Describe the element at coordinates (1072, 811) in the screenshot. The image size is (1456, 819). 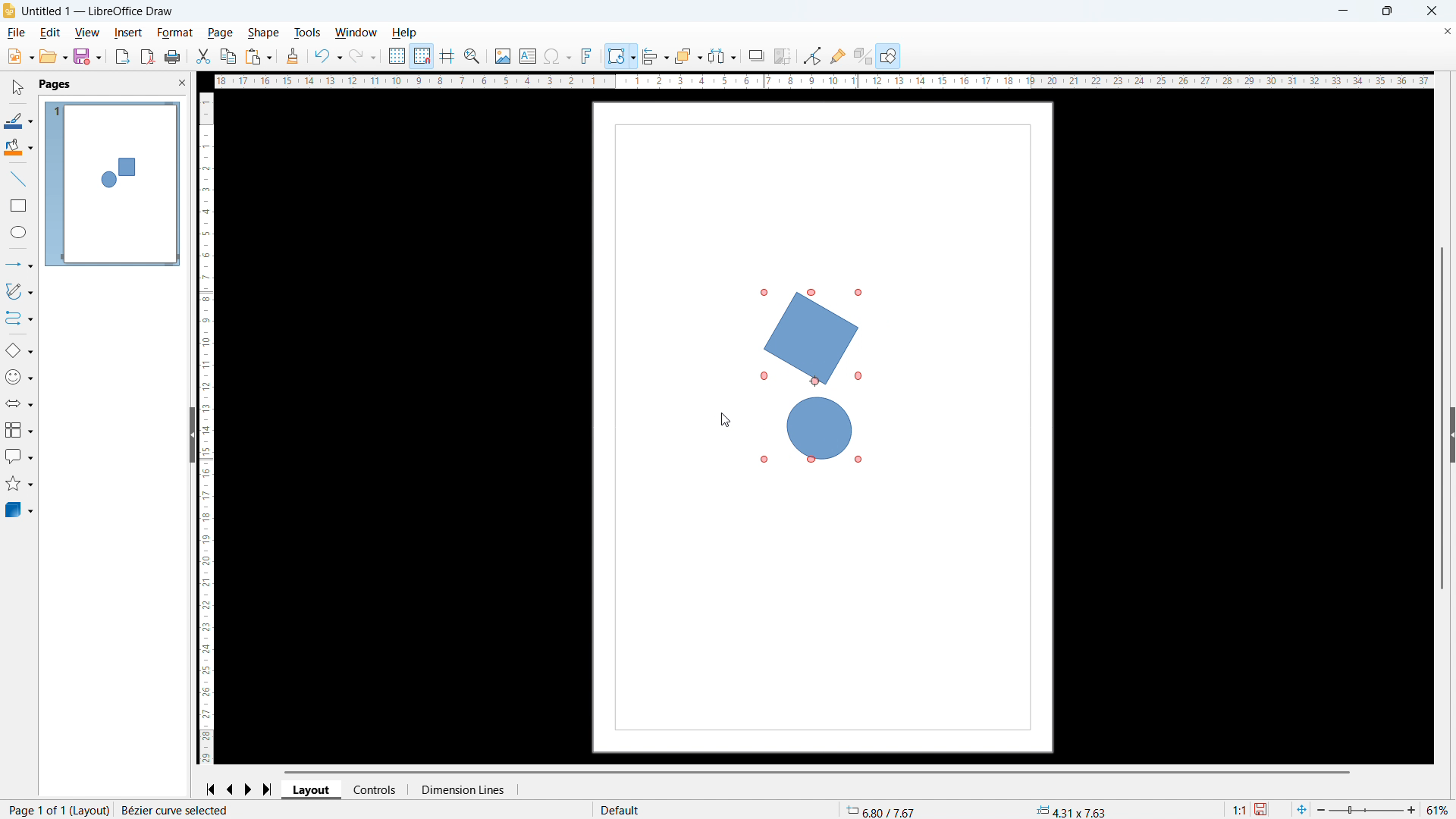
I see `Object dimensions ` at that location.